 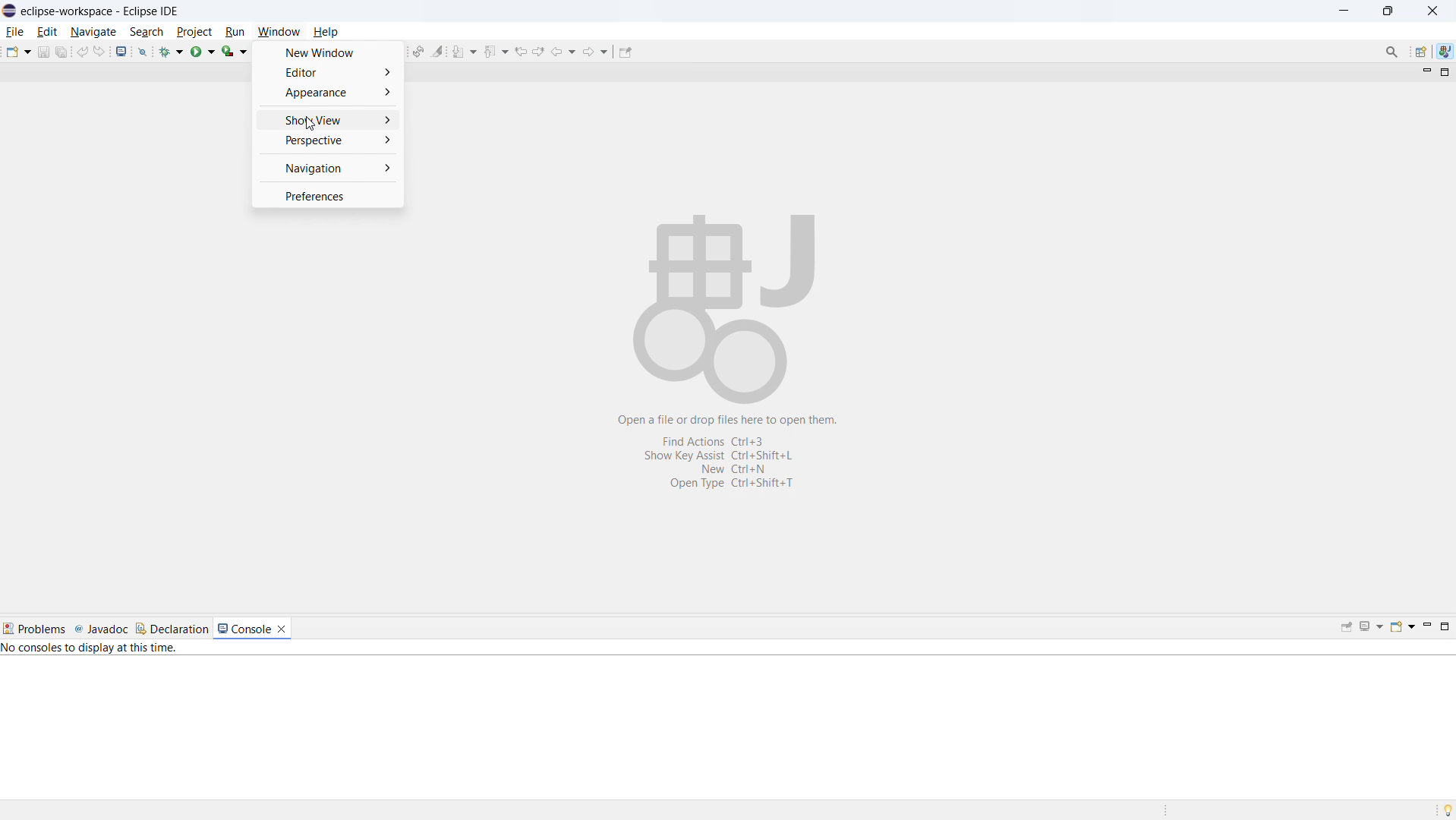 I want to click on No consoles to display at this time., so click(x=97, y=651).